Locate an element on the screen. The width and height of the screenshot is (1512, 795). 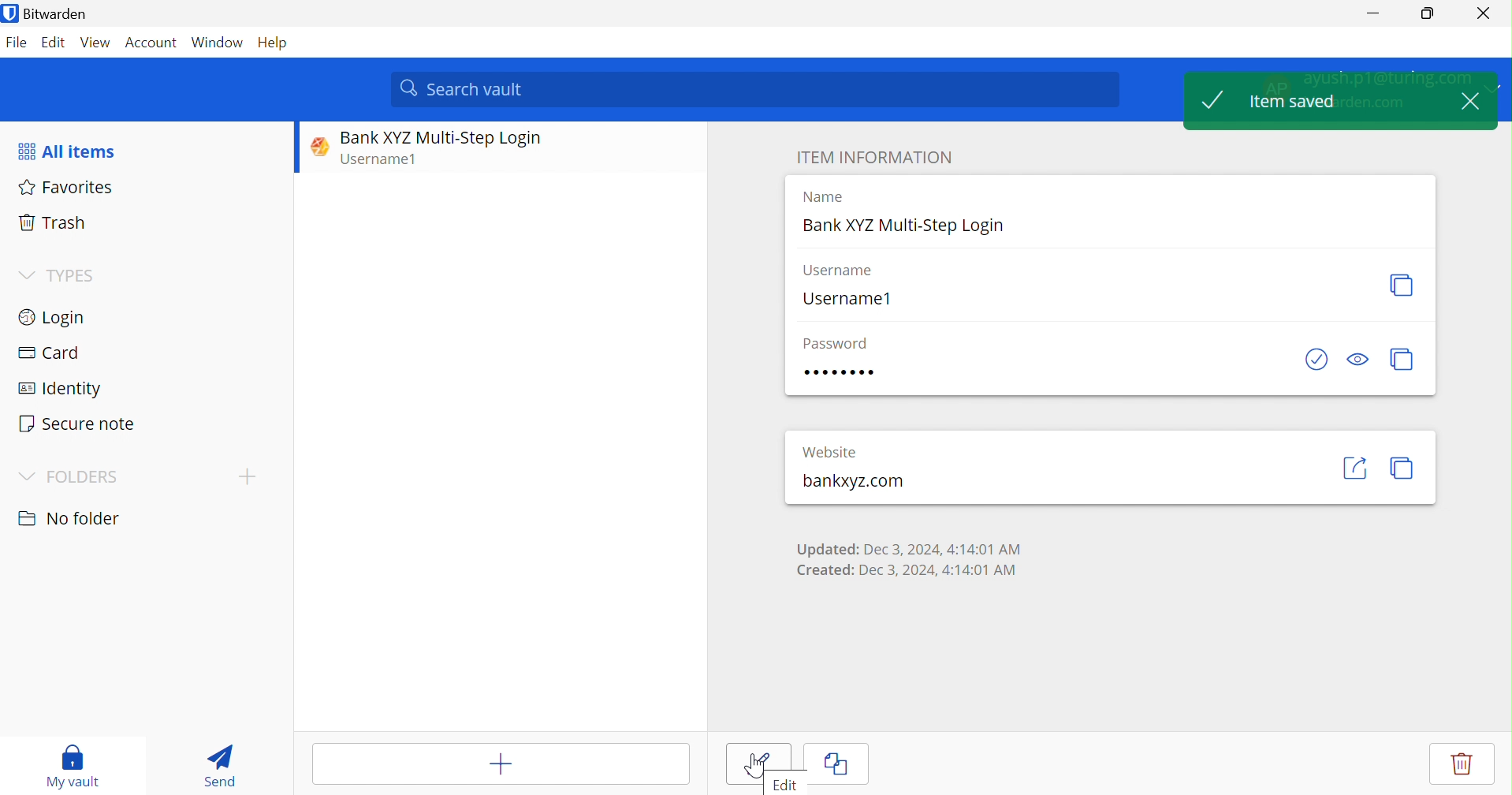
Window is located at coordinates (218, 44).